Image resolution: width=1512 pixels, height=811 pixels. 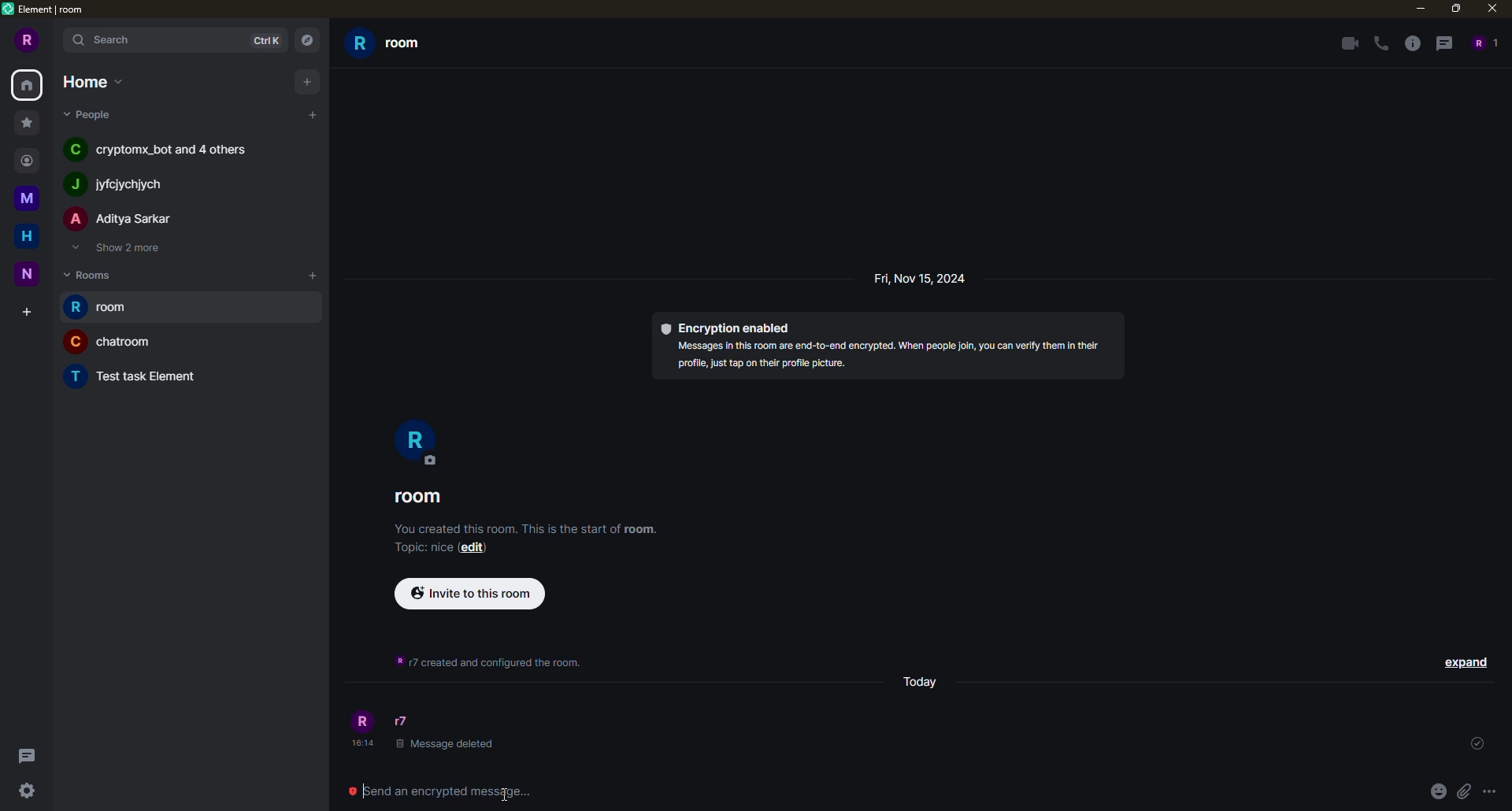 I want to click on room, so click(x=392, y=45).